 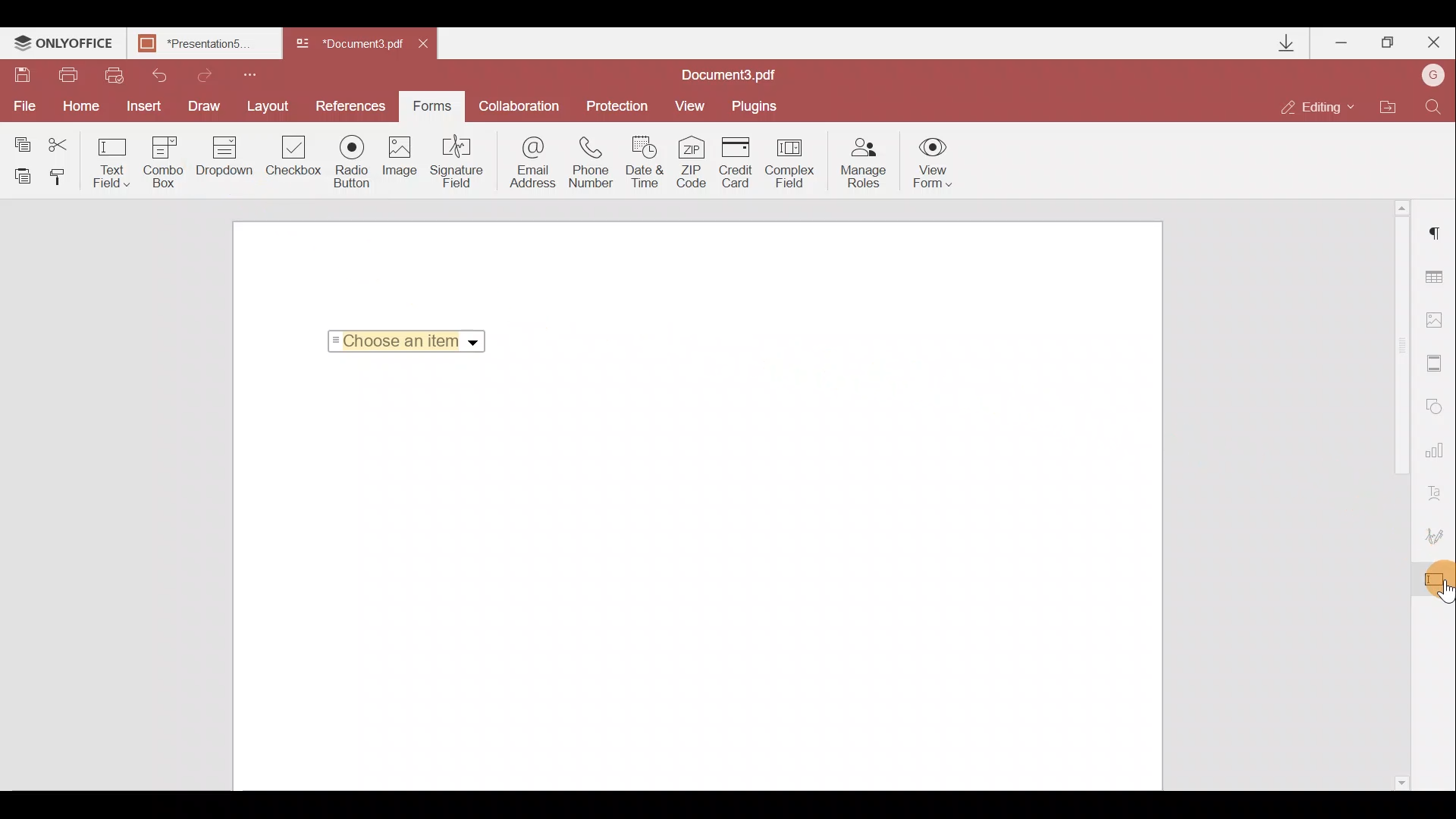 What do you see at coordinates (1401, 206) in the screenshot?
I see `Scroll up` at bounding box center [1401, 206].